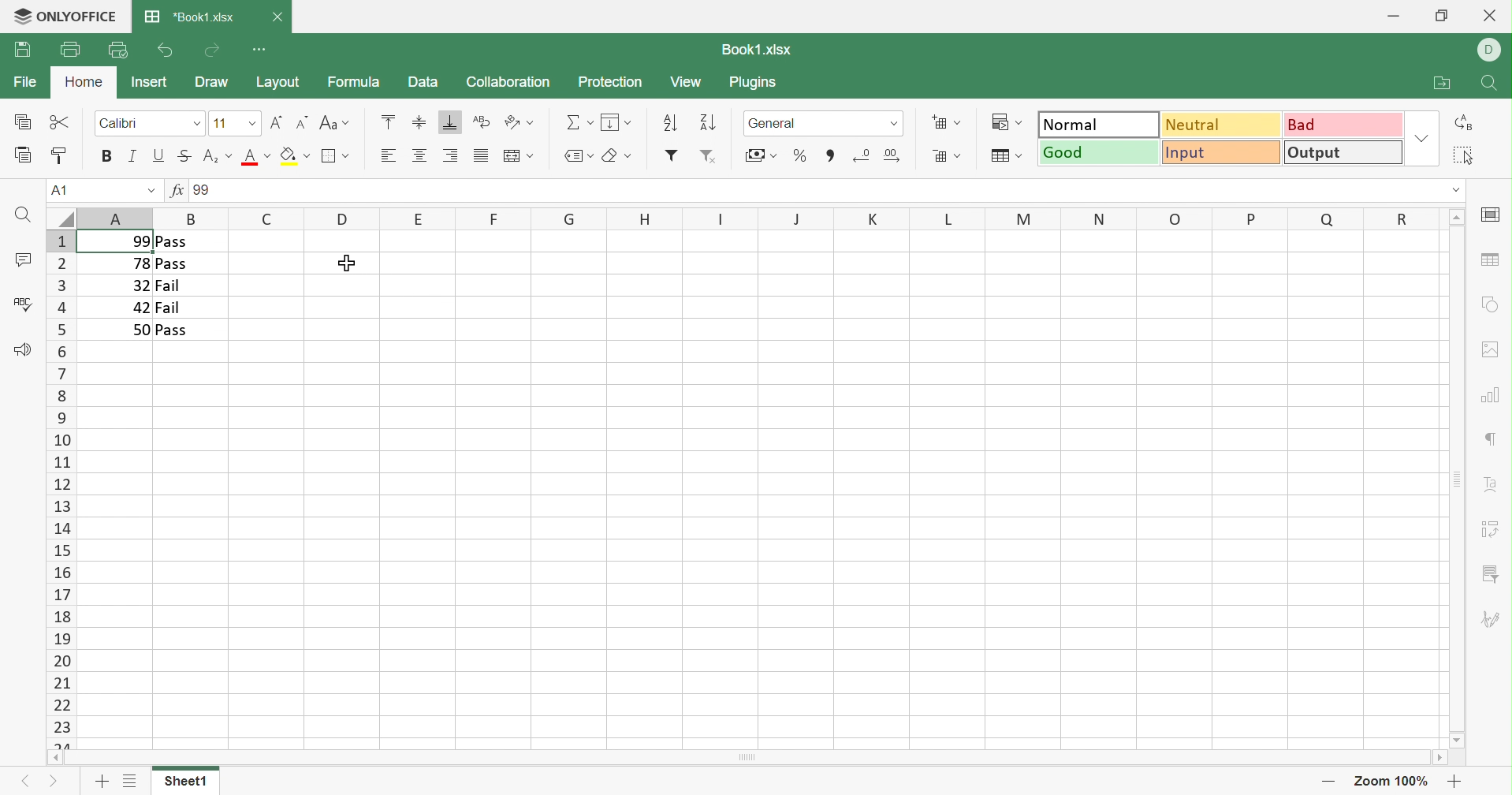 Image resolution: width=1512 pixels, height=795 pixels. I want to click on Restore down, so click(1441, 15).